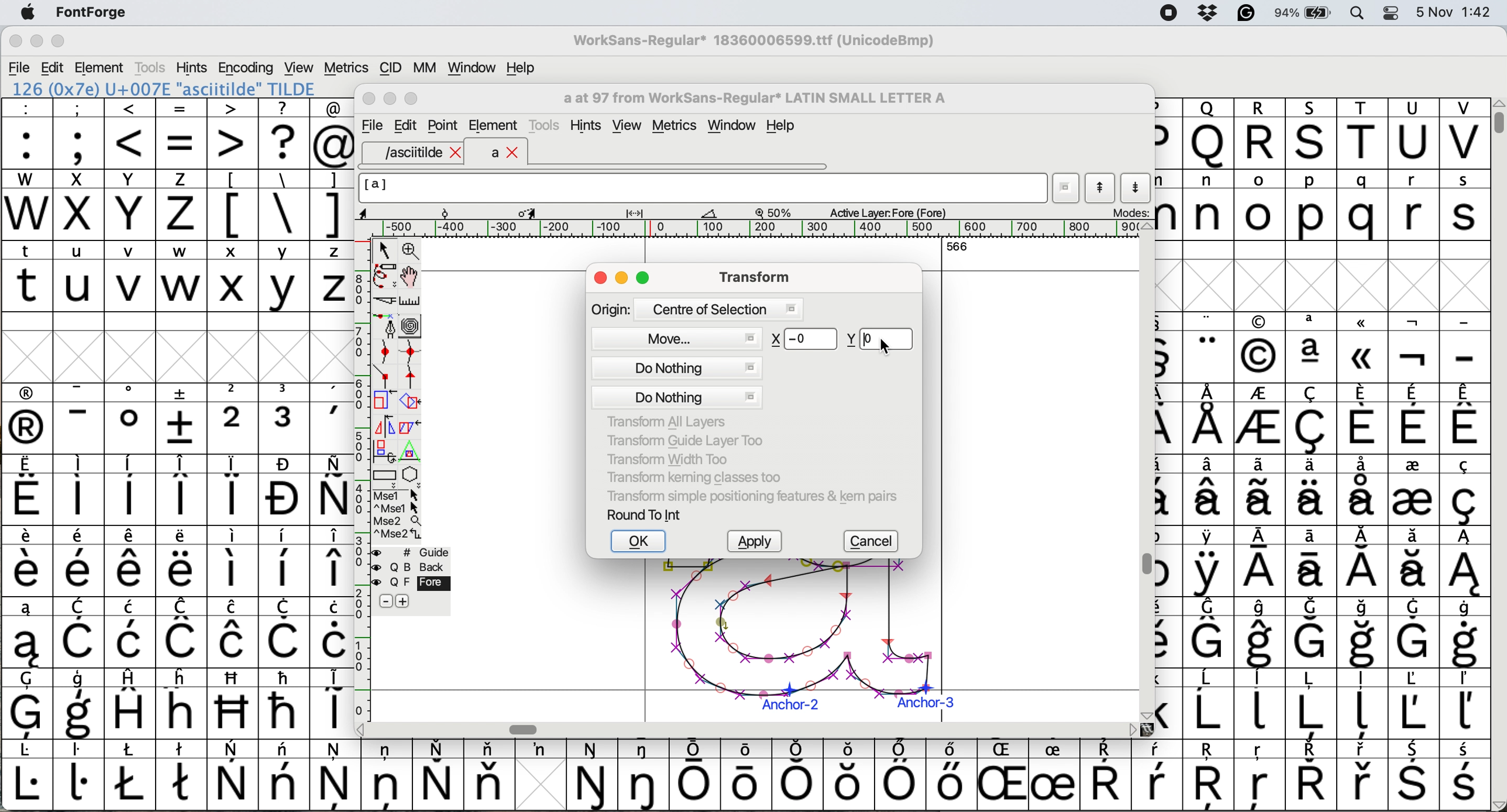 The height and width of the screenshot is (812, 1507). What do you see at coordinates (414, 99) in the screenshot?
I see `Maximise` at bounding box center [414, 99].